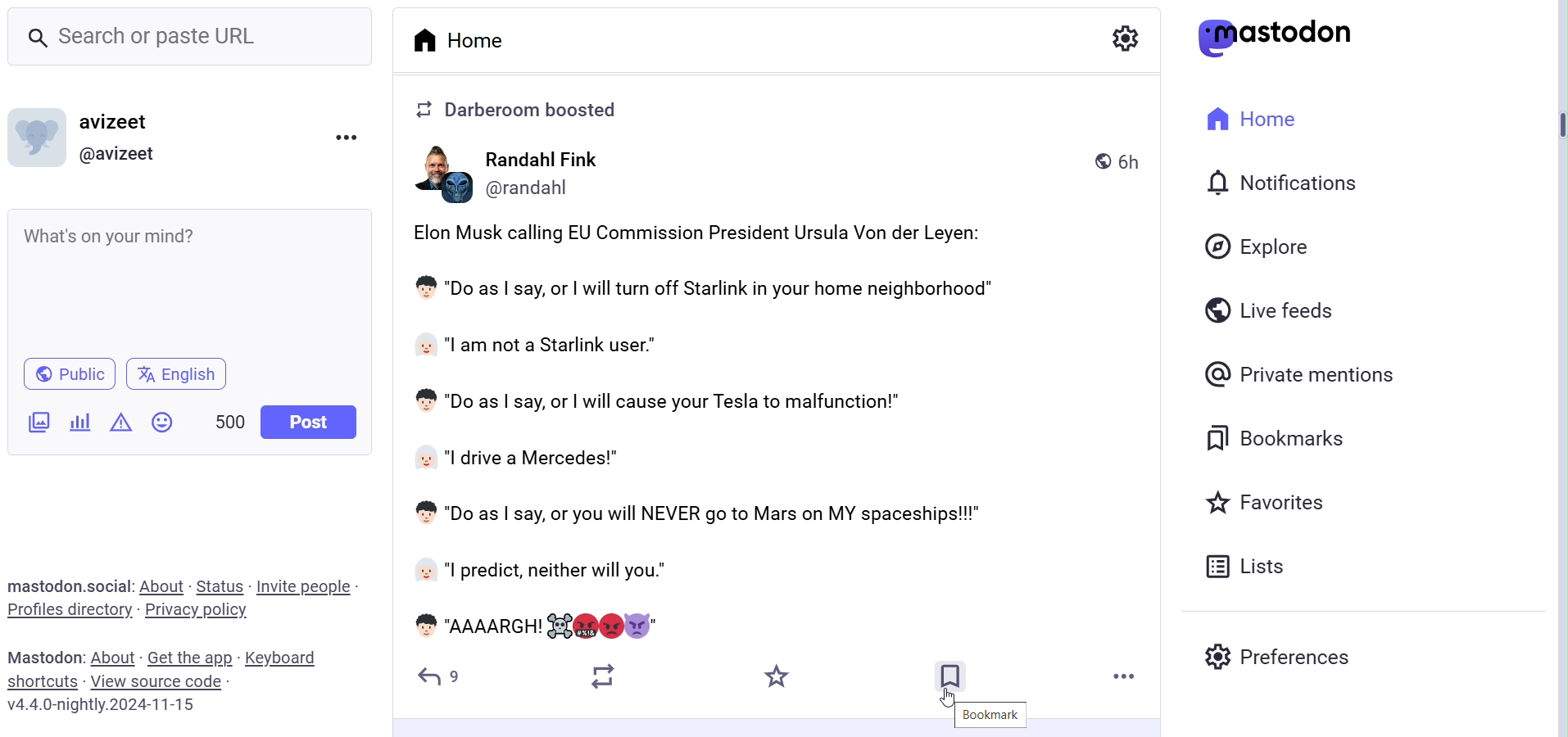  Describe the element at coordinates (70, 612) in the screenshot. I see `Profiles Directory` at that location.